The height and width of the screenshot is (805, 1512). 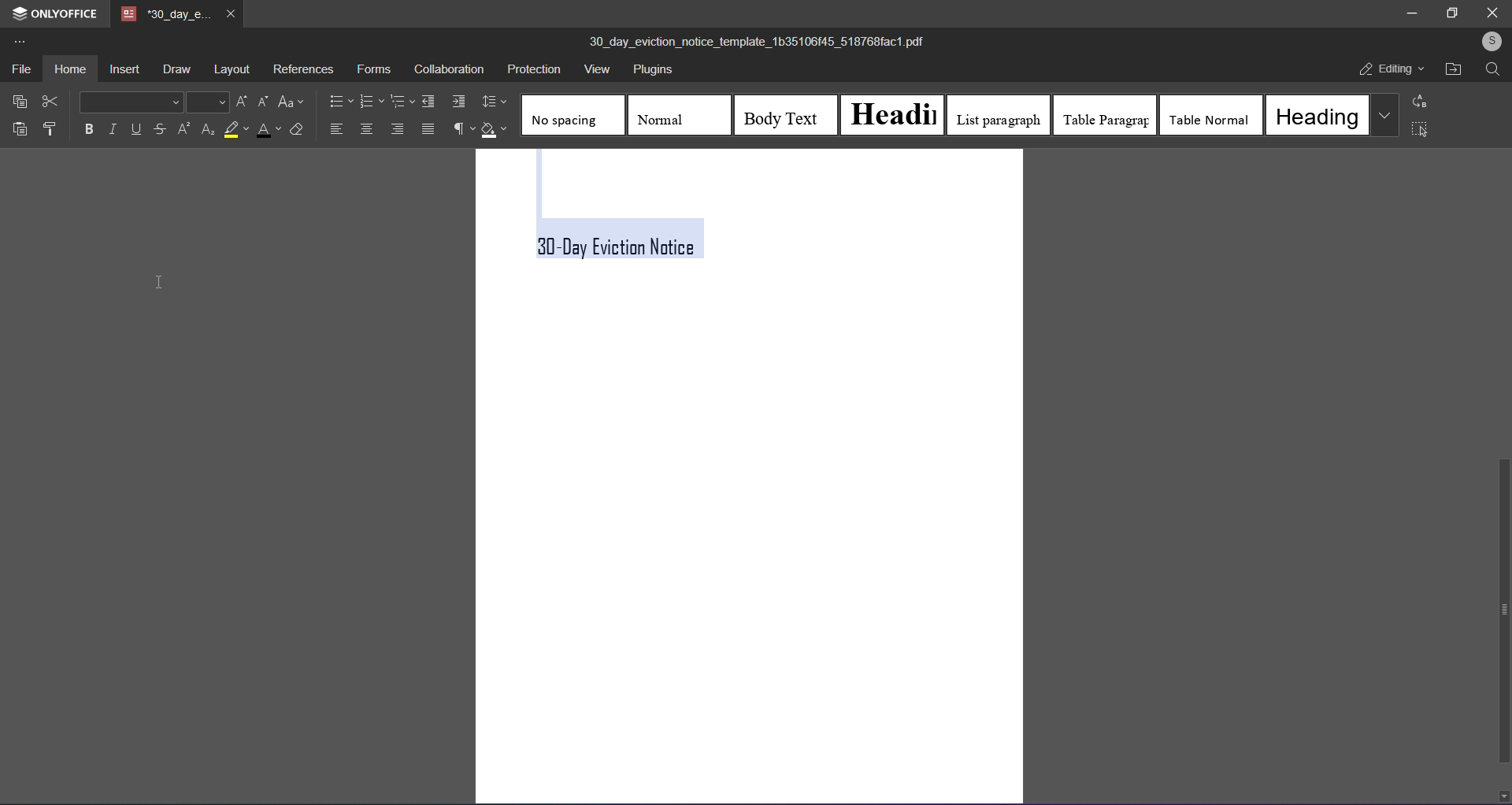 I want to click on table normal, so click(x=1212, y=115).